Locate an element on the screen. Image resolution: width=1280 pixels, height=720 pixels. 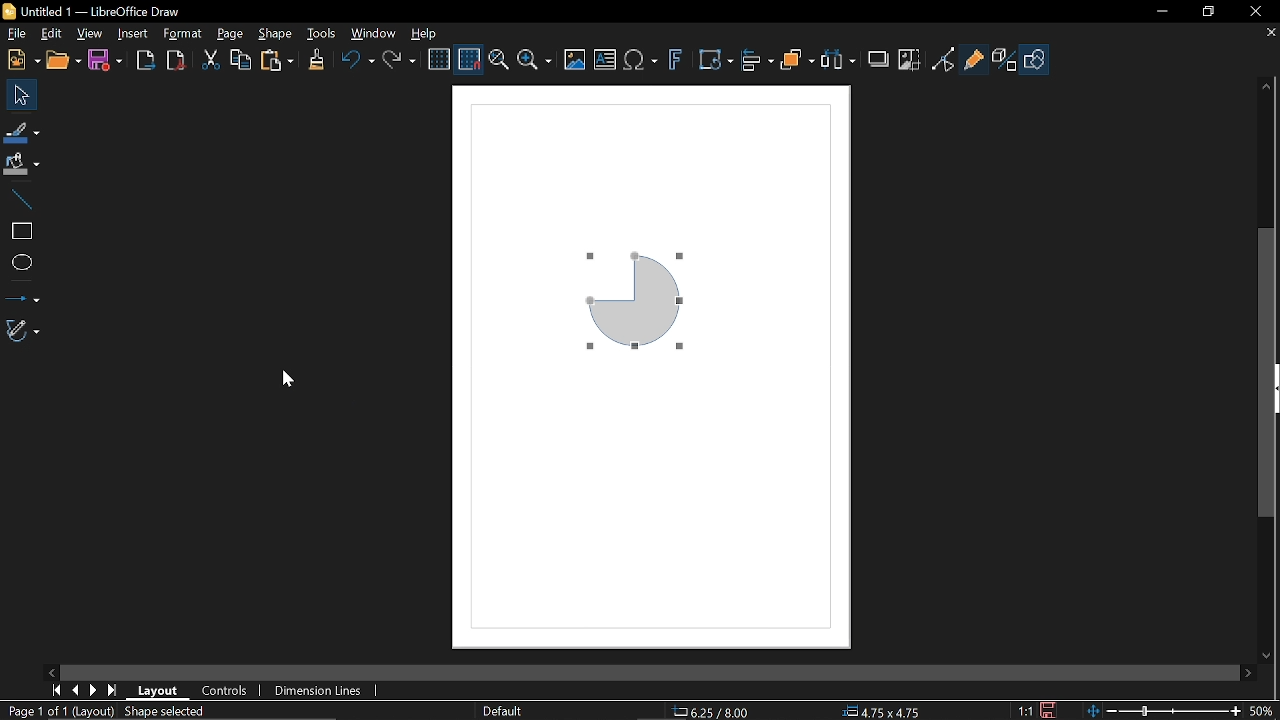
Untitled 1 -- LibreOffice Draw is located at coordinates (110, 11).